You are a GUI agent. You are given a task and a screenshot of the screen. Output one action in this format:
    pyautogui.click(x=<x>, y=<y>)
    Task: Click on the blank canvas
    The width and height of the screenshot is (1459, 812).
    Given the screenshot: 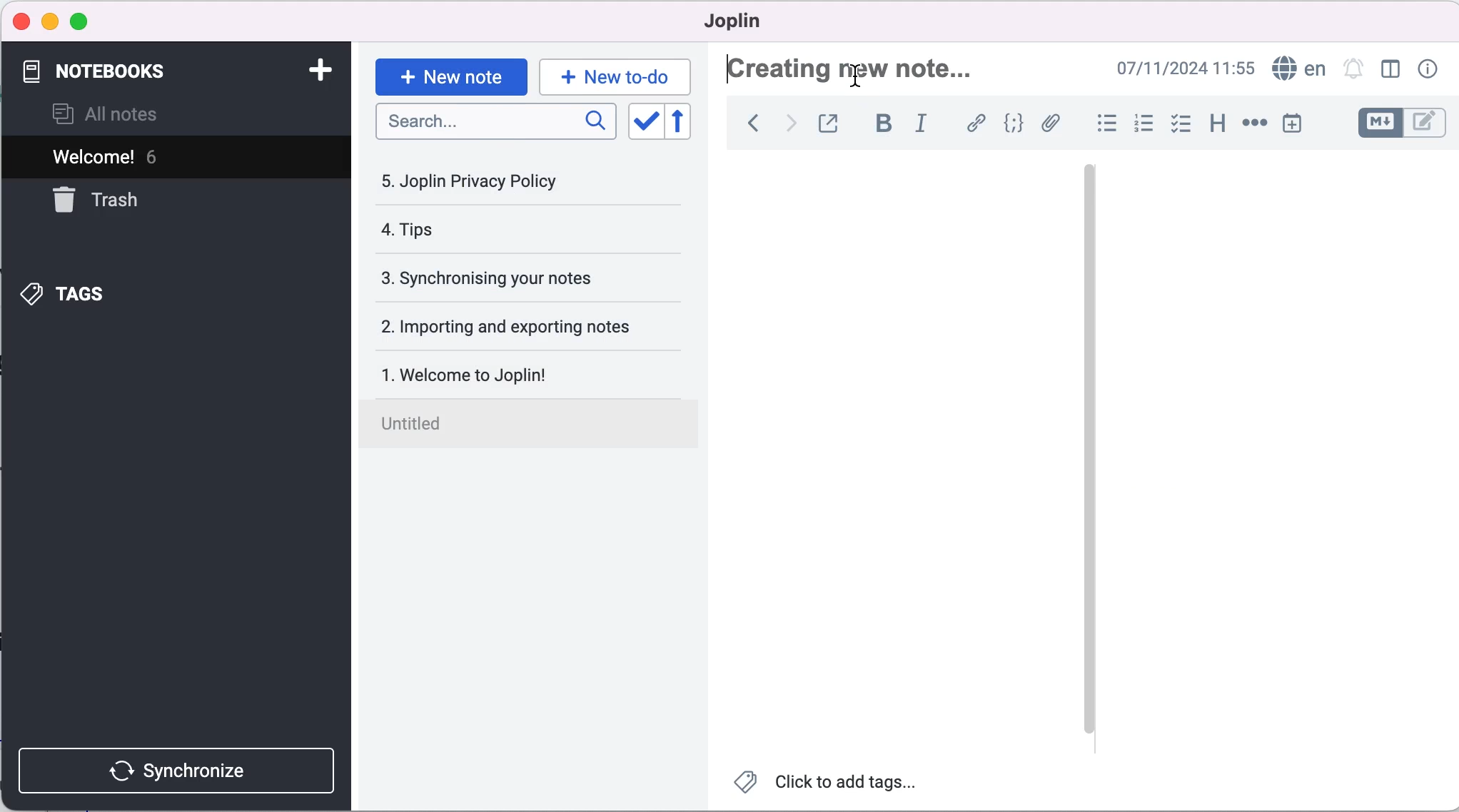 What is the action you would take?
    pyautogui.click(x=889, y=451)
    